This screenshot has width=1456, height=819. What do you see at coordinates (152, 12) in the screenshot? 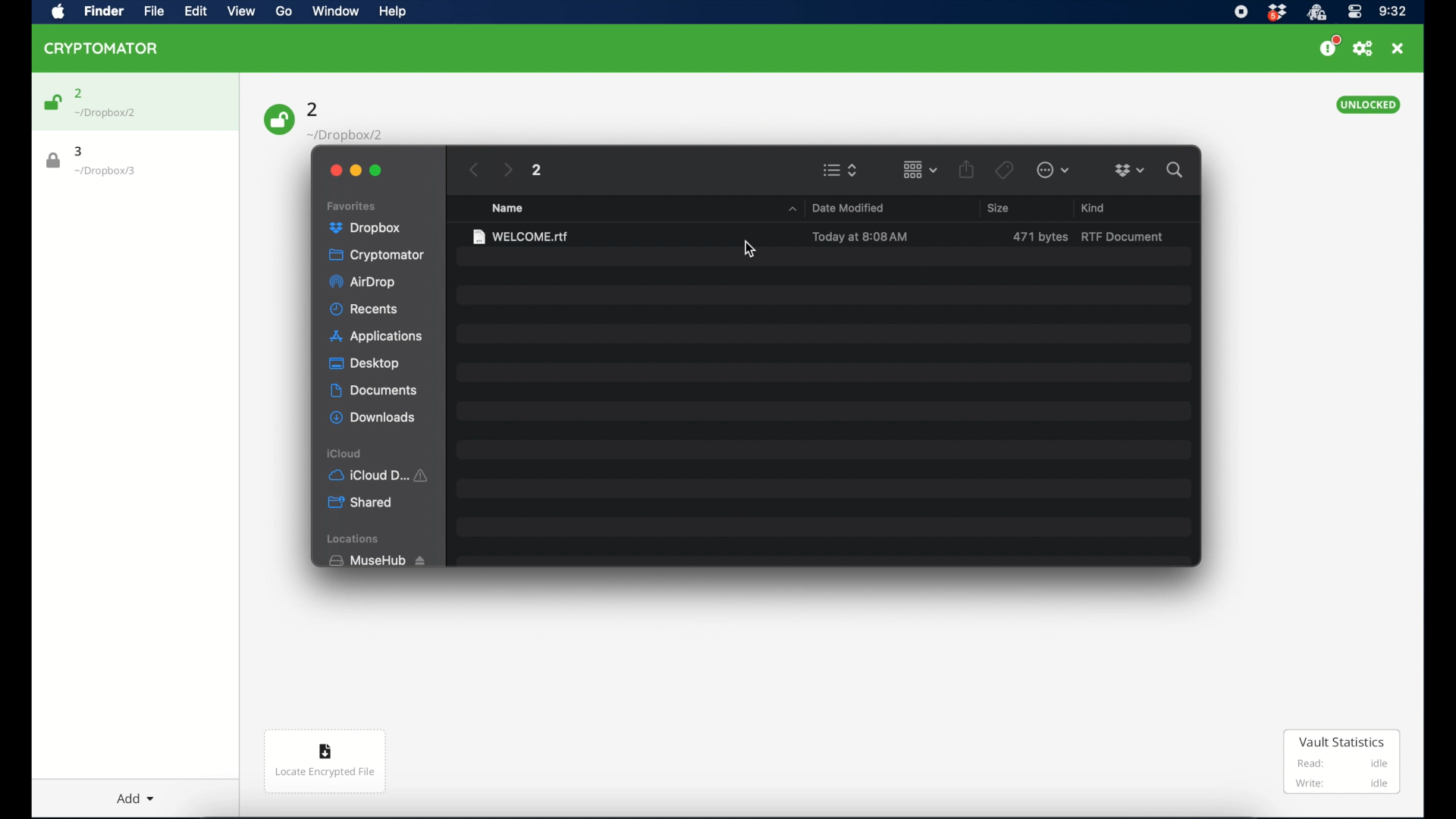
I see `File` at bounding box center [152, 12].